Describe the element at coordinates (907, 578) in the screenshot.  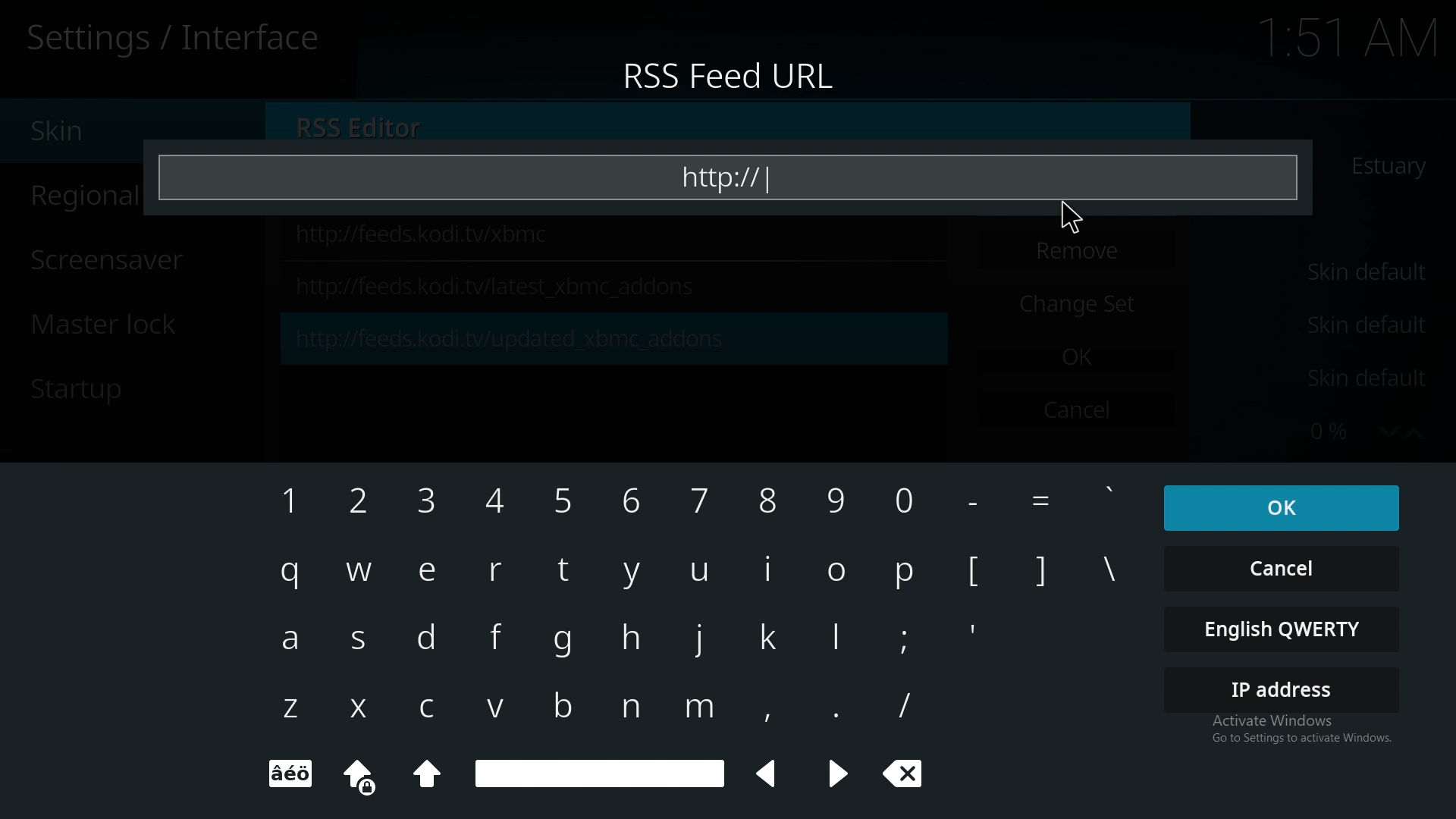
I see `keyboard Input` at that location.